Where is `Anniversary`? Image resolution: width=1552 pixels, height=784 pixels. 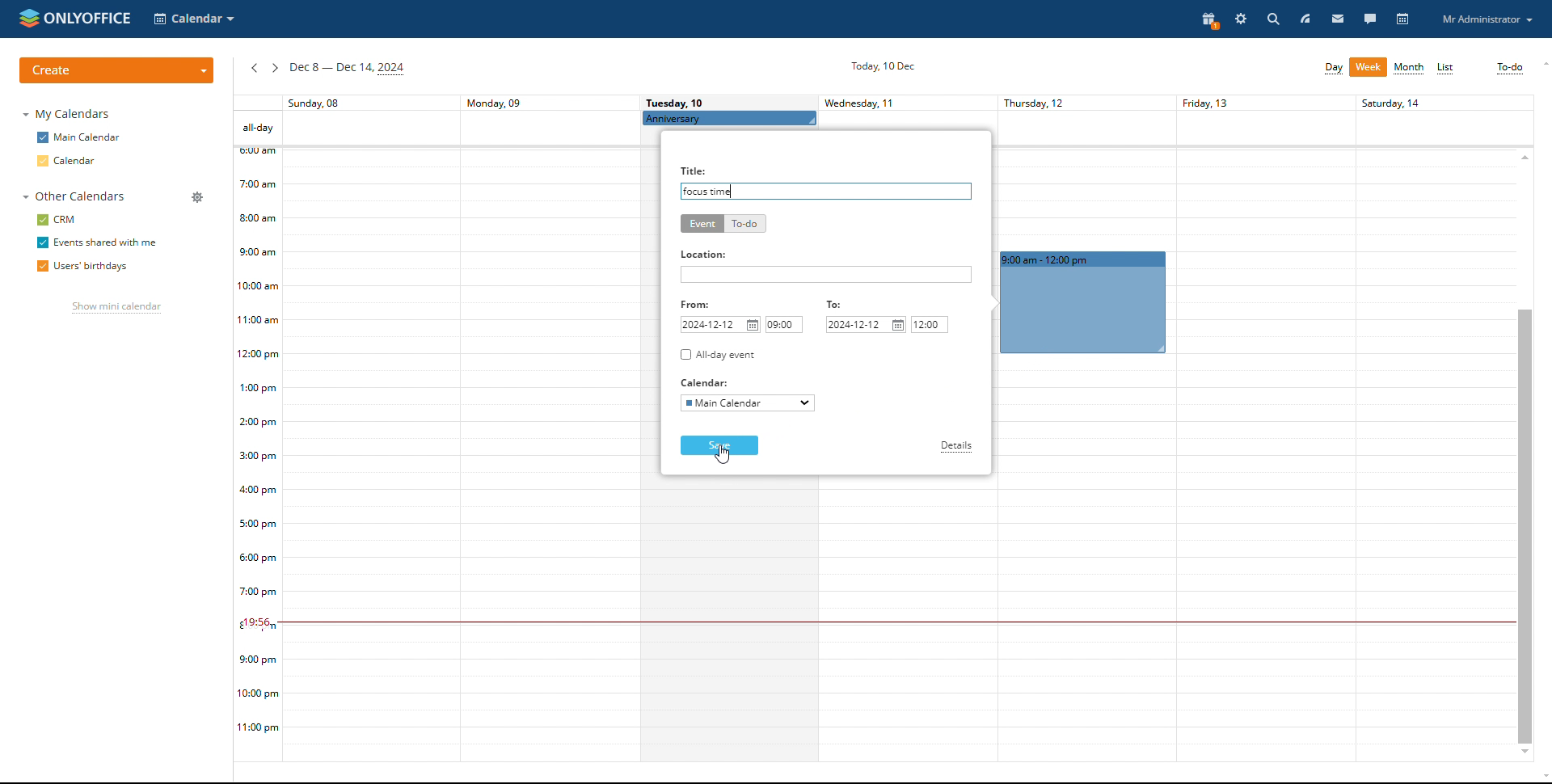 Anniversary is located at coordinates (691, 119).